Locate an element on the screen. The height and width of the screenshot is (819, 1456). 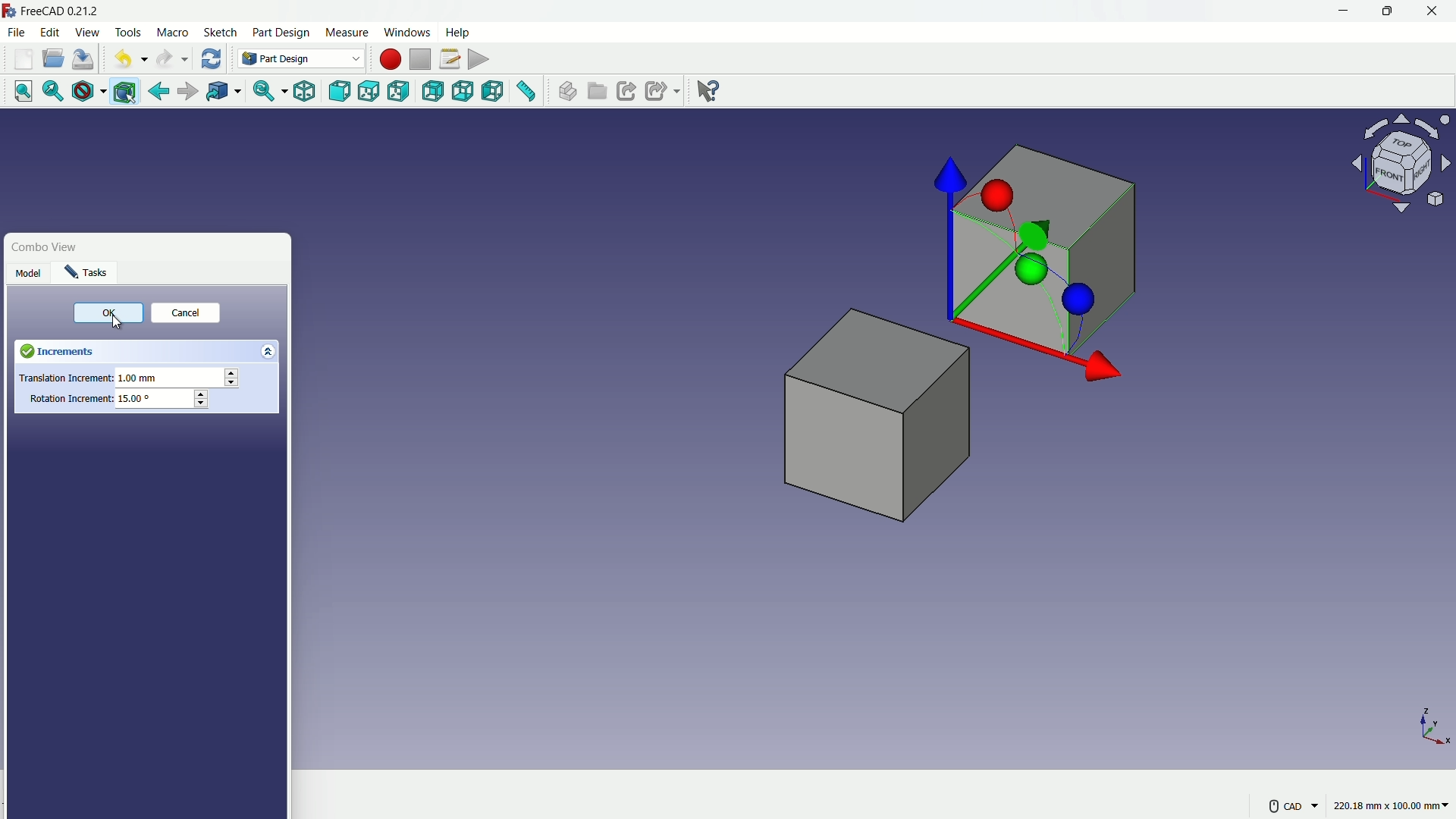
go back is located at coordinates (159, 92).